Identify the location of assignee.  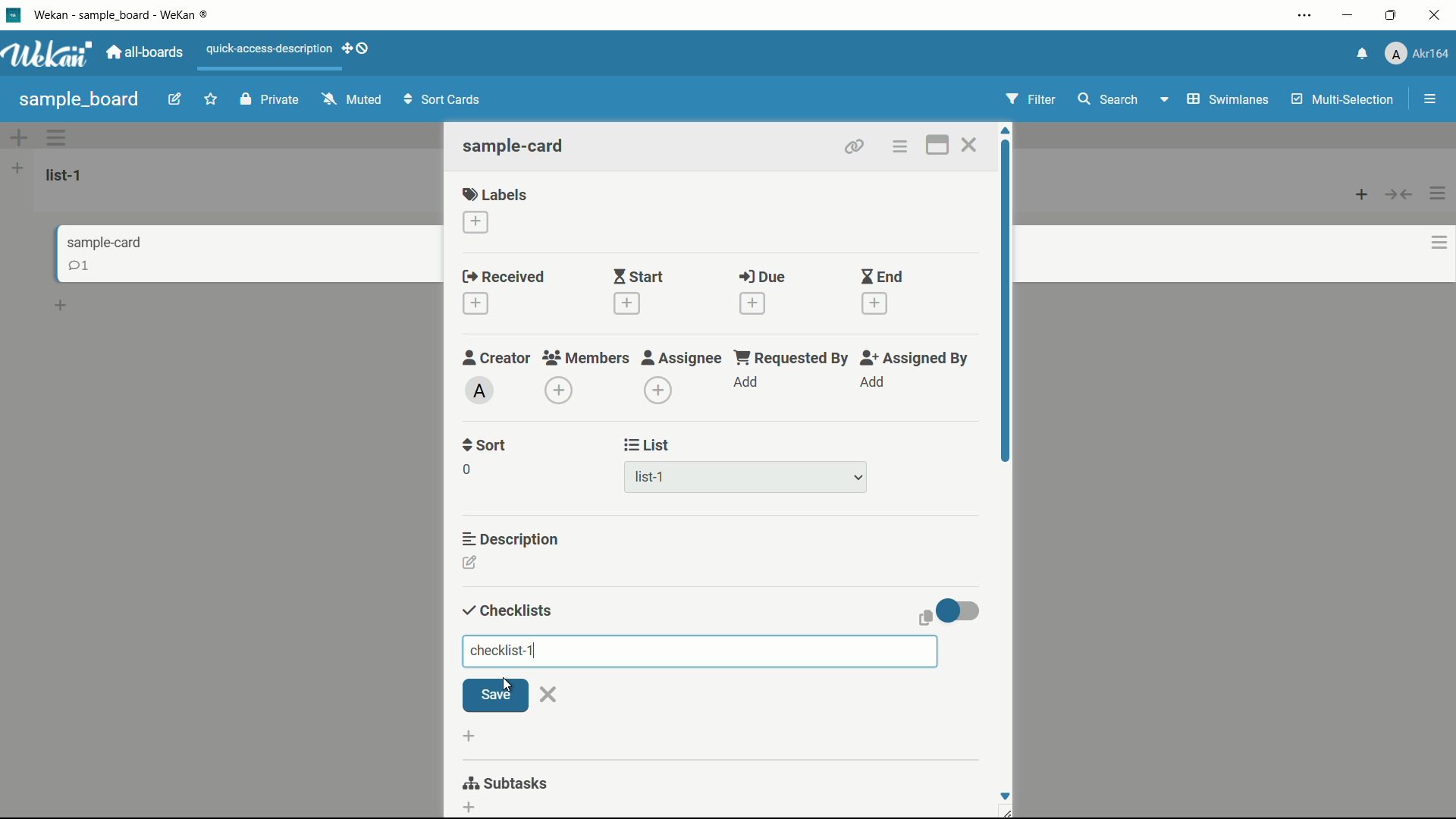
(682, 359).